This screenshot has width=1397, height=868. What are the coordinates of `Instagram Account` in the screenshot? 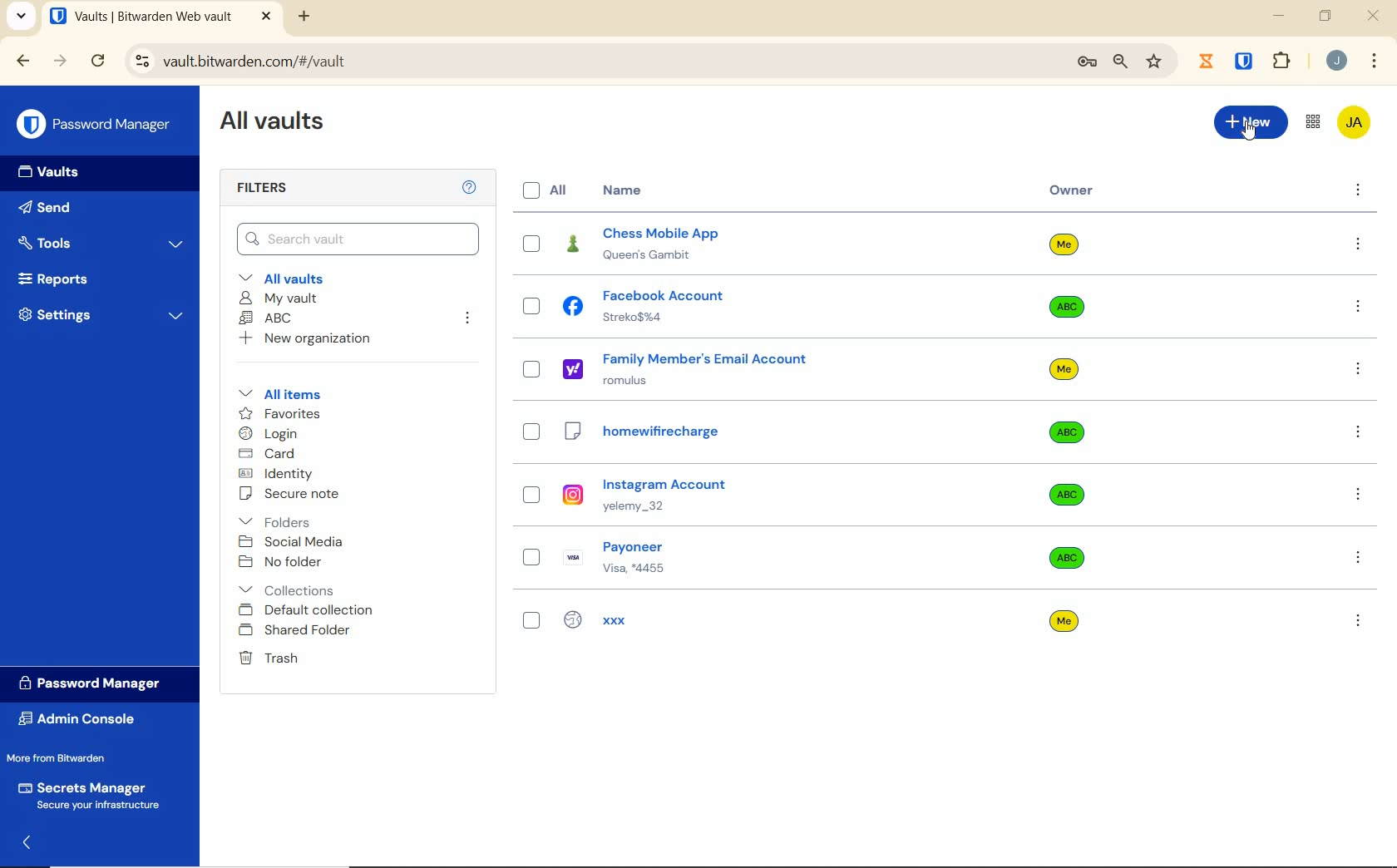 It's located at (683, 495).